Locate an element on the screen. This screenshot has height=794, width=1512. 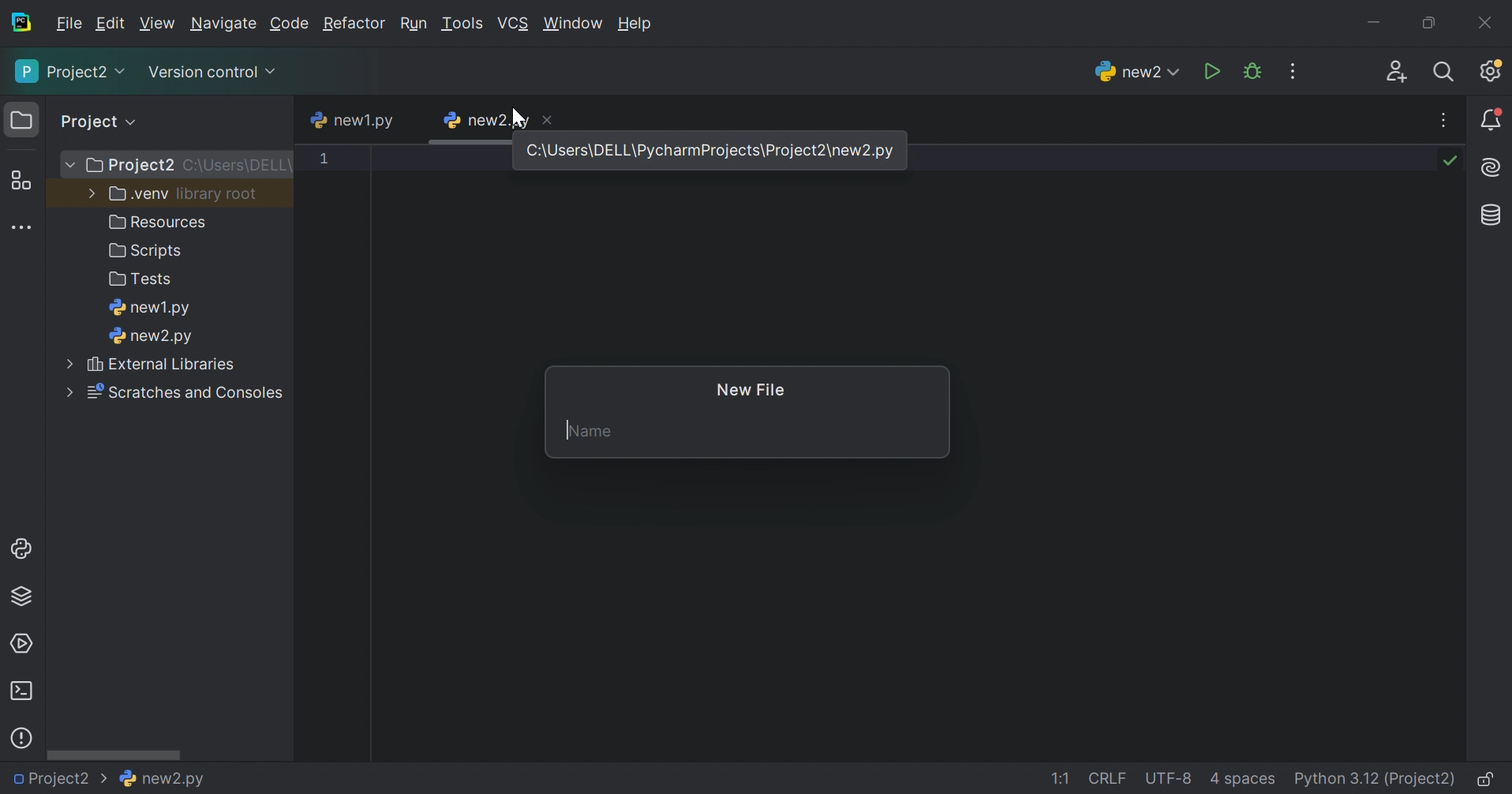
new2.py is located at coordinates (152, 338).